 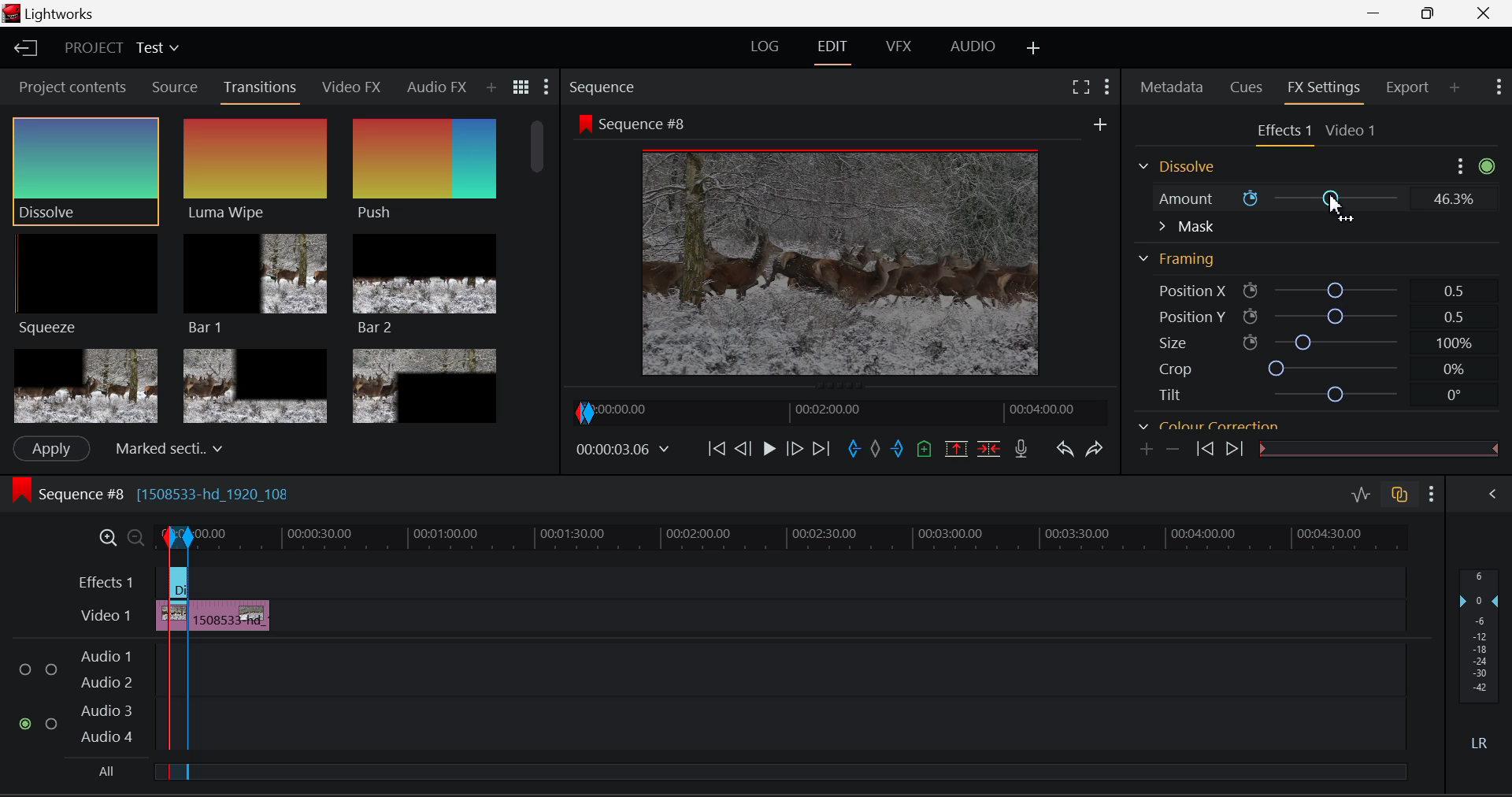 I want to click on Scroll Bar, so click(x=541, y=267).